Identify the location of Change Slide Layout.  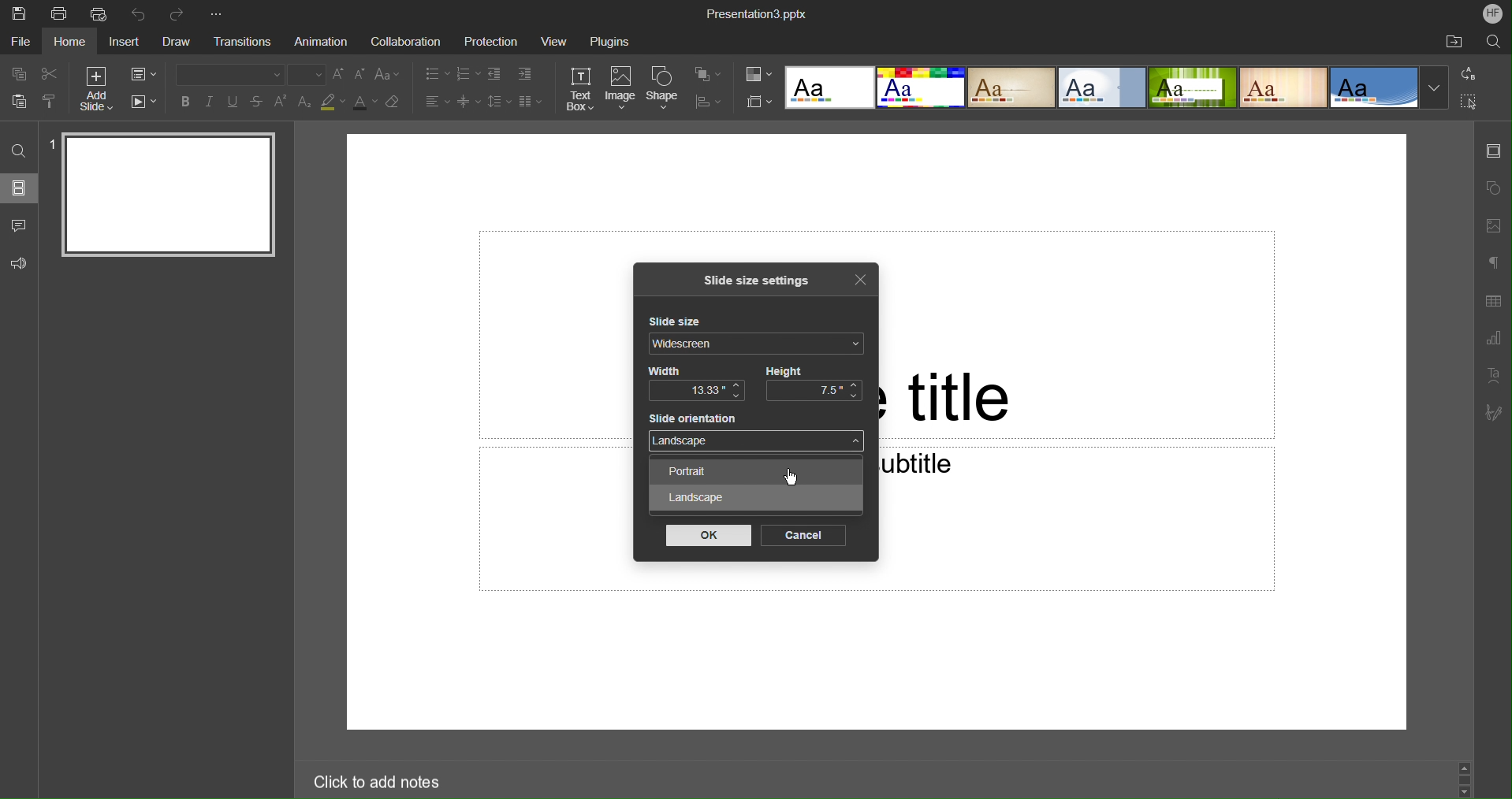
(145, 74).